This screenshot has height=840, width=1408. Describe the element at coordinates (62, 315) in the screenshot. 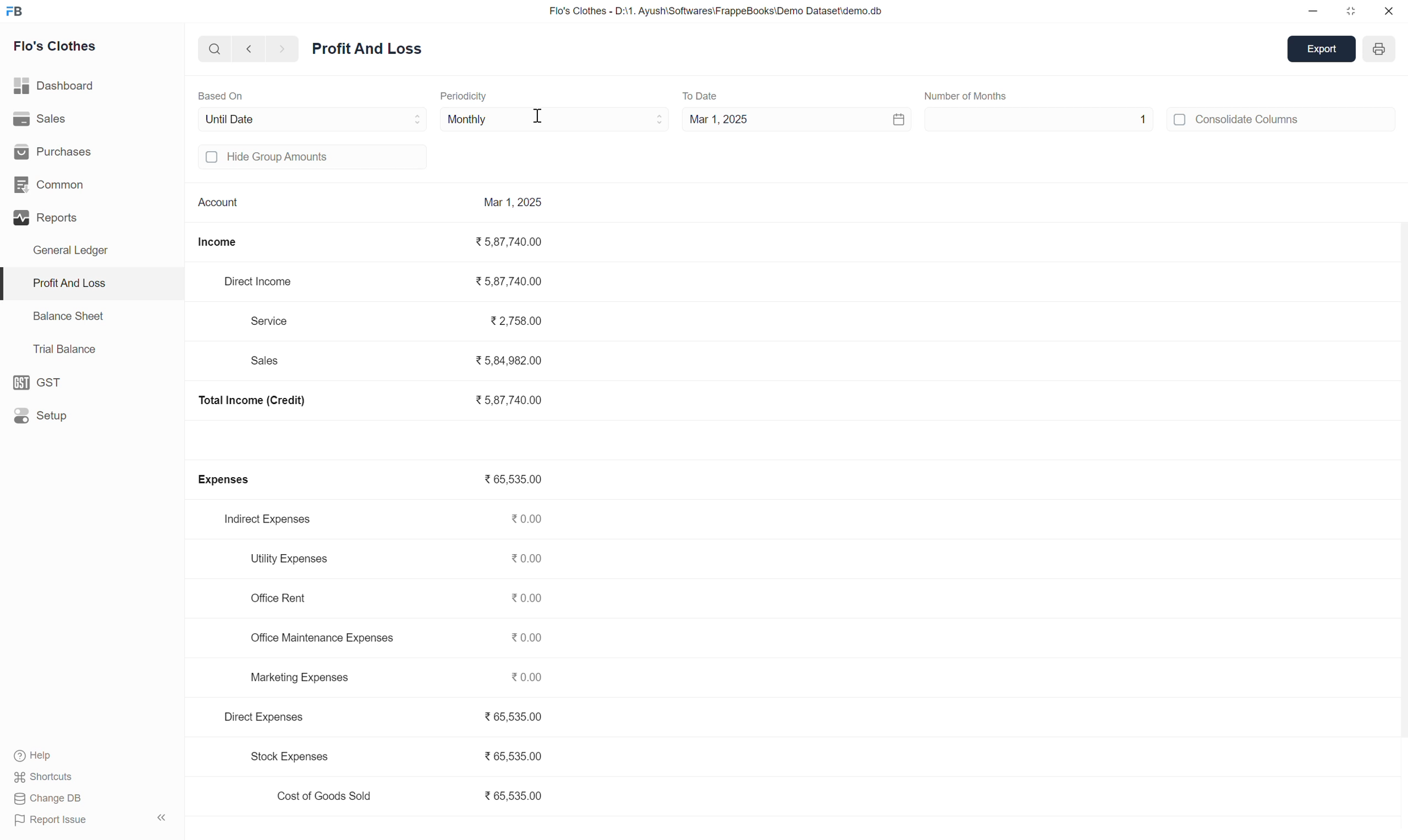

I see `Balance Sheet` at that location.